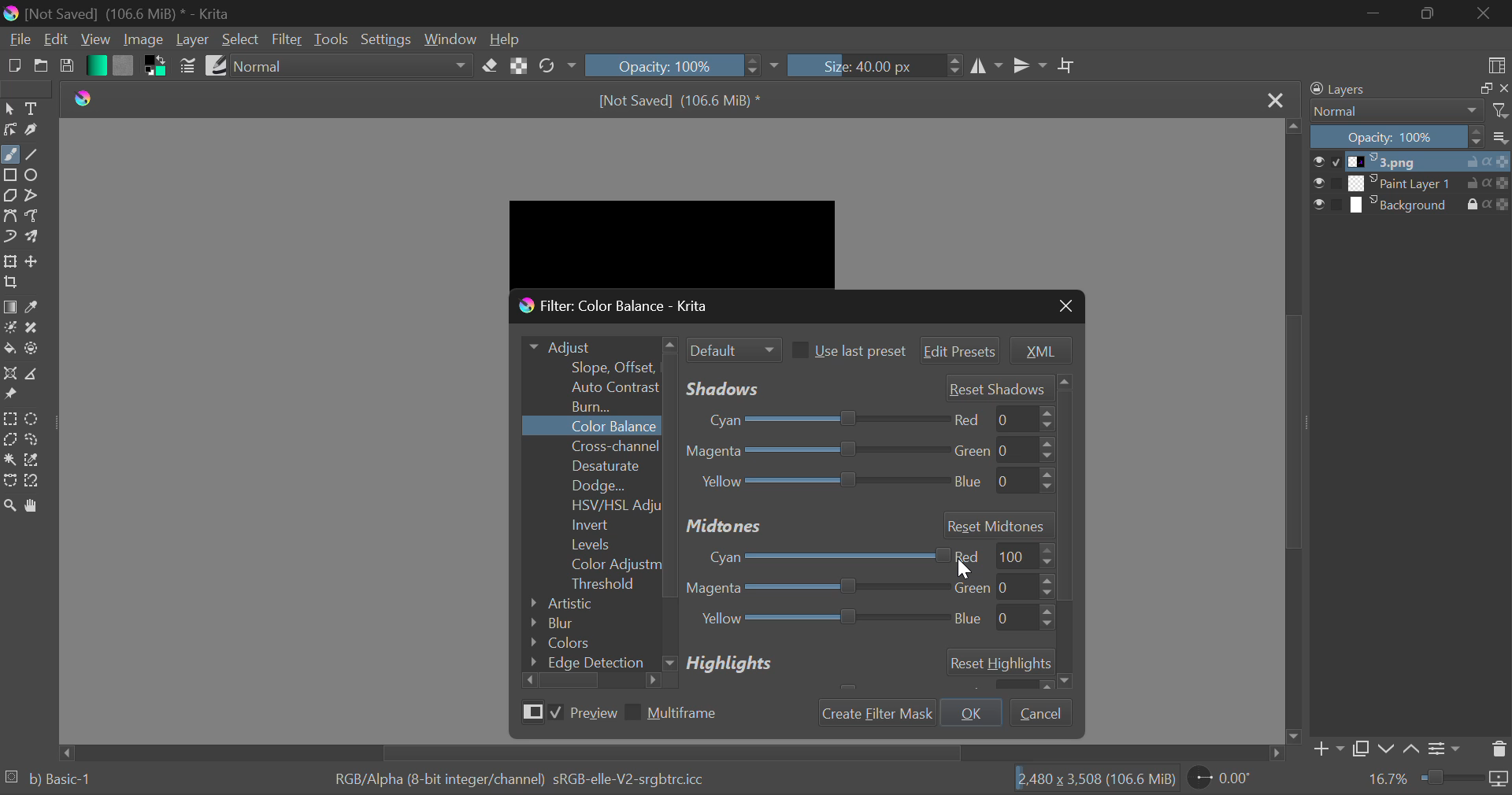 The height and width of the screenshot is (795, 1512). Describe the element at coordinates (1295, 432) in the screenshot. I see `Scroll Bar` at that location.